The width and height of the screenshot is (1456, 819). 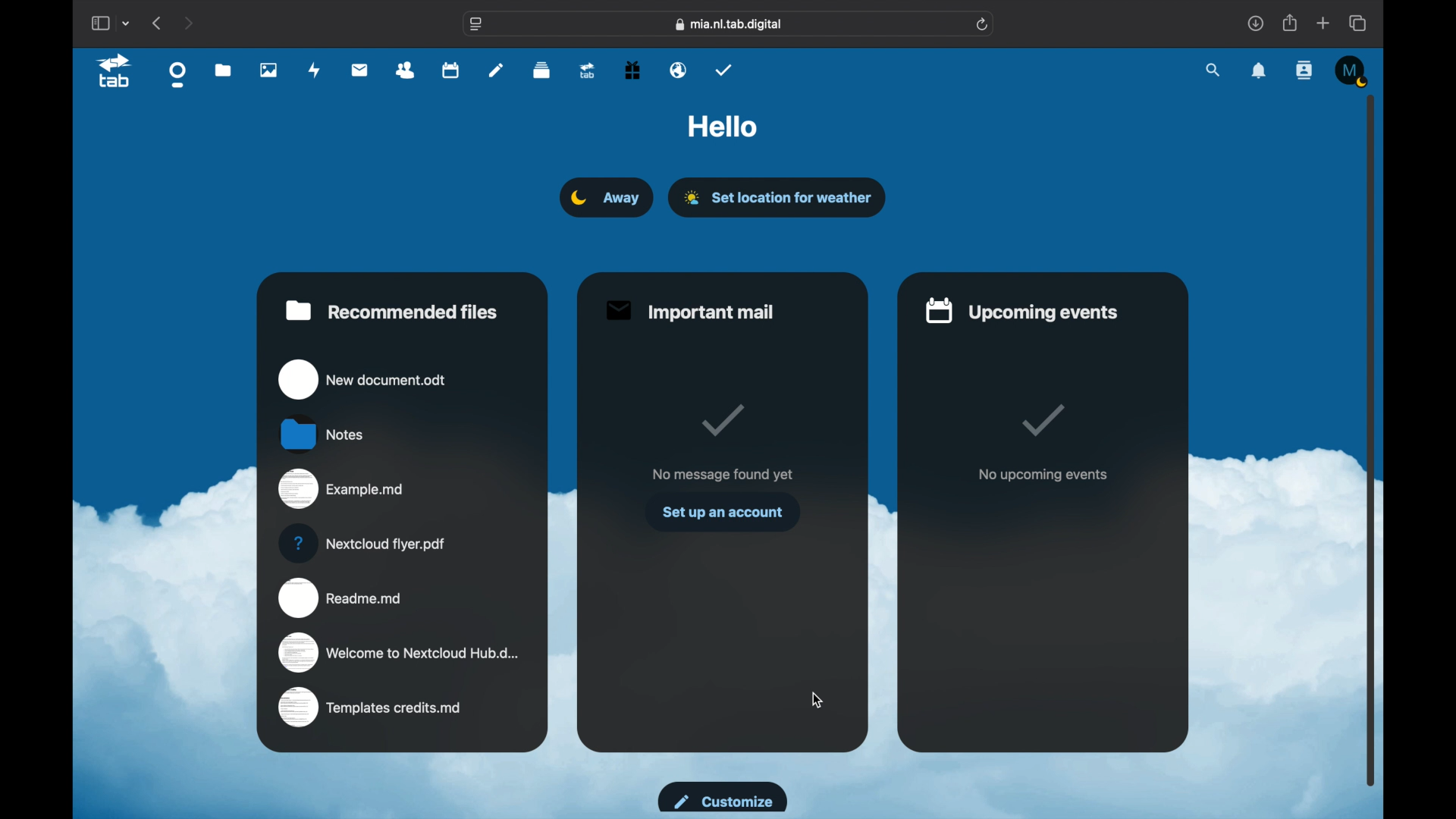 What do you see at coordinates (723, 68) in the screenshot?
I see `tasks` at bounding box center [723, 68].